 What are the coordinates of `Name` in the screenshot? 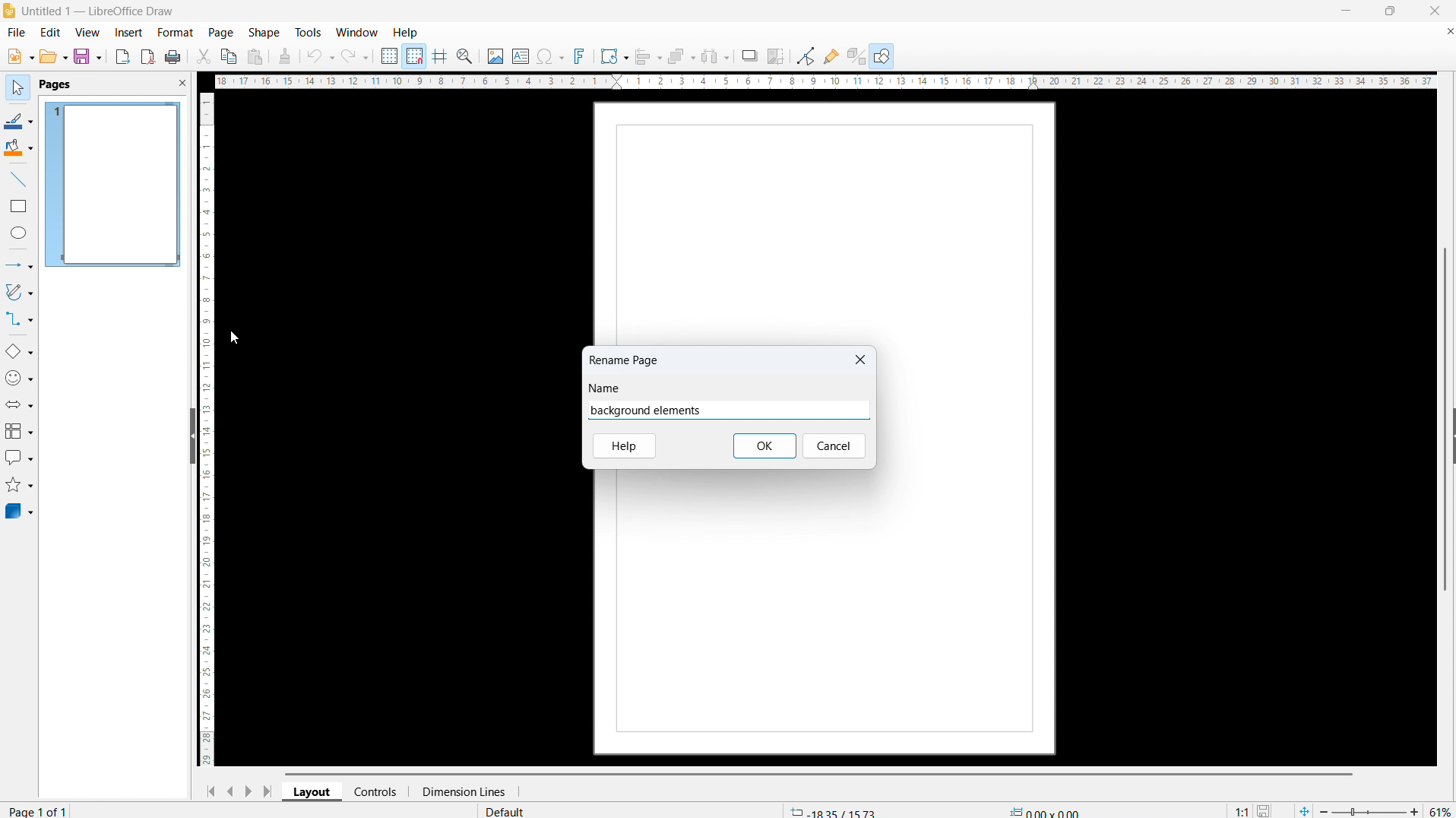 It's located at (605, 389).